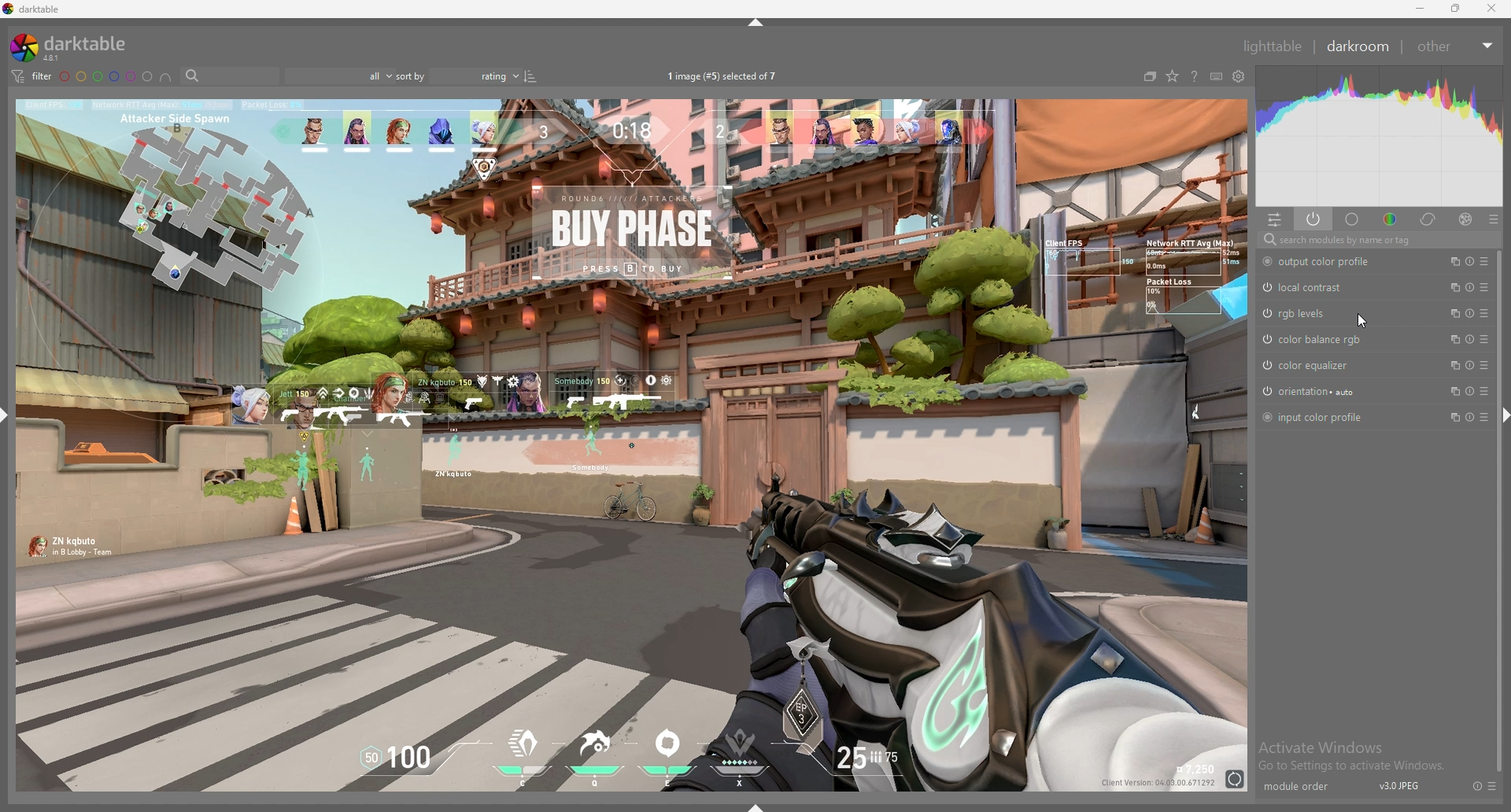 The width and height of the screenshot is (1511, 812). Describe the element at coordinates (1358, 46) in the screenshot. I see `darkroom` at that location.